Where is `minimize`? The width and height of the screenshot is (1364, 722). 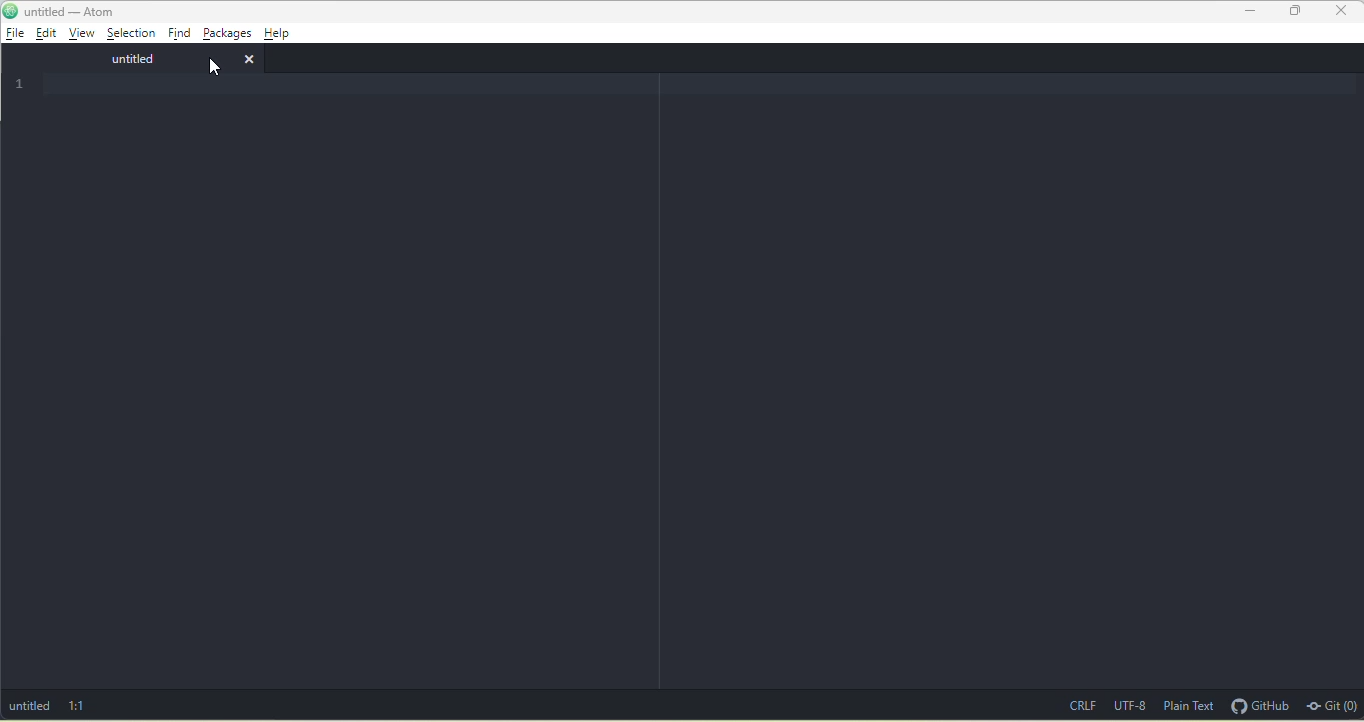 minimize is located at coordinates (1251, 11).